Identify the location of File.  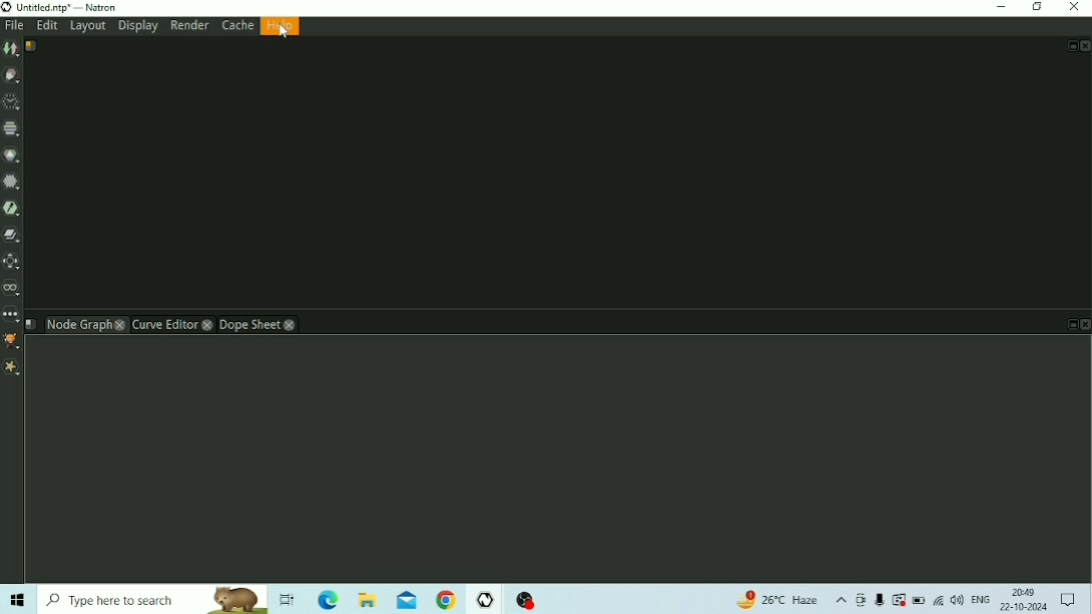
(14, 26).